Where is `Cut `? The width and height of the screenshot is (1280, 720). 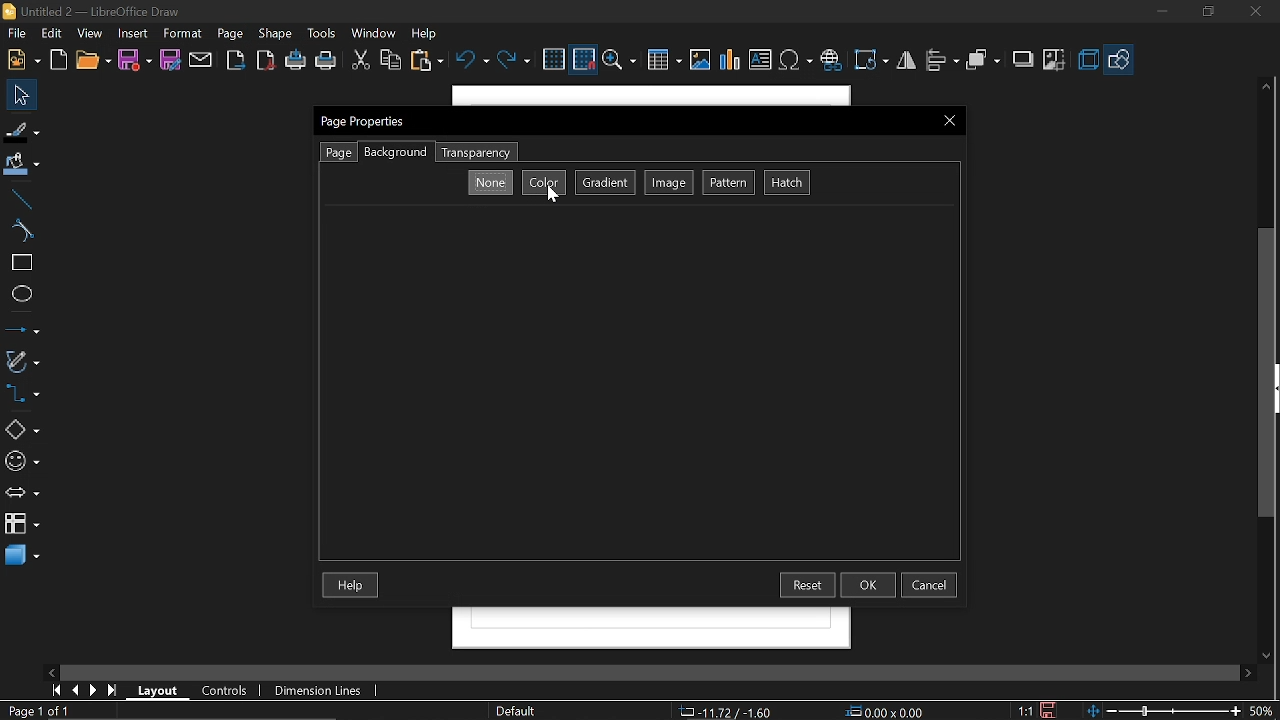 Cut  is located at coordinates (360, 61).